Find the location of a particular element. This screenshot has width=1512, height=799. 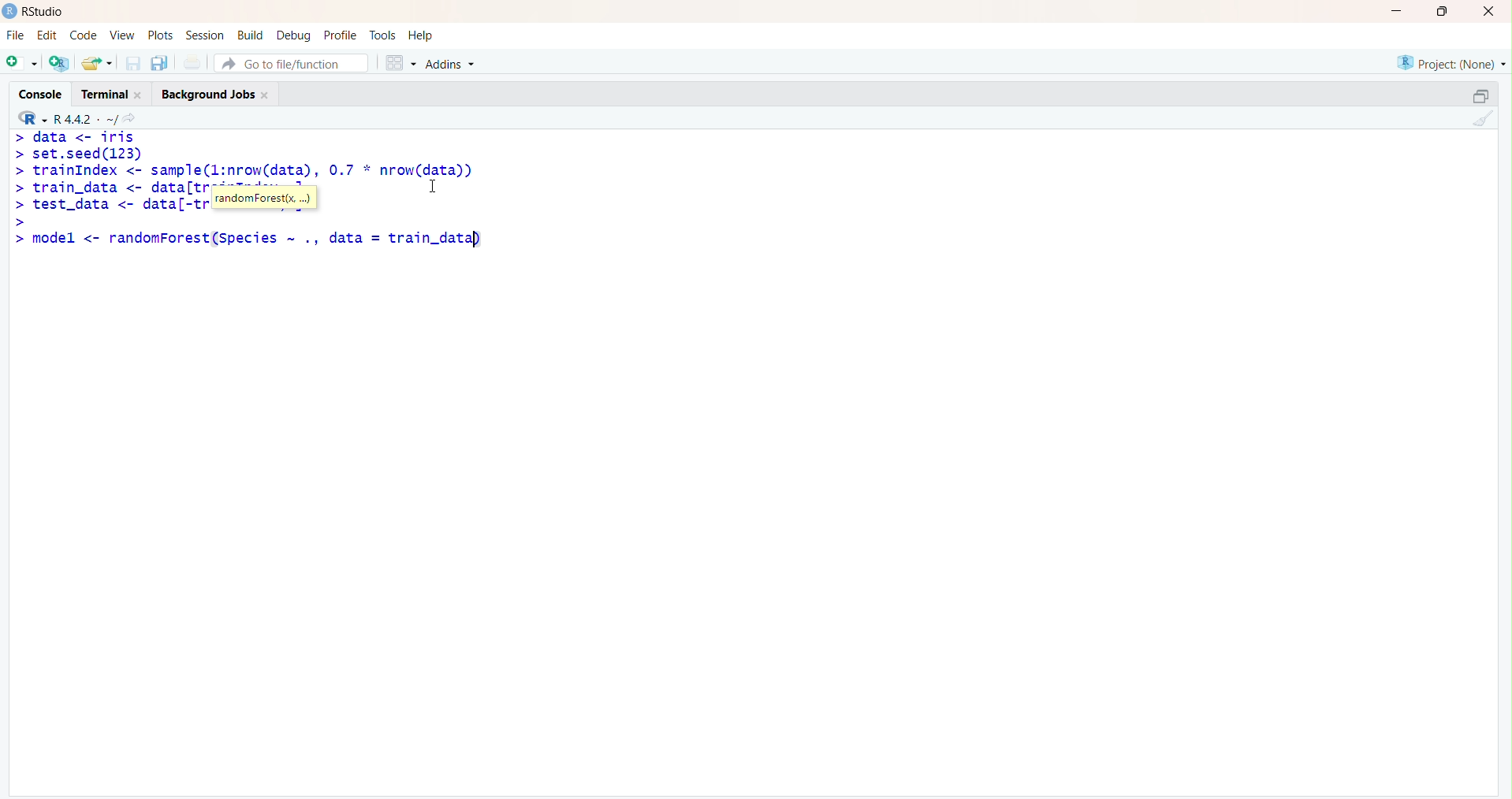

RStudio is located at coordinates (37, 11).